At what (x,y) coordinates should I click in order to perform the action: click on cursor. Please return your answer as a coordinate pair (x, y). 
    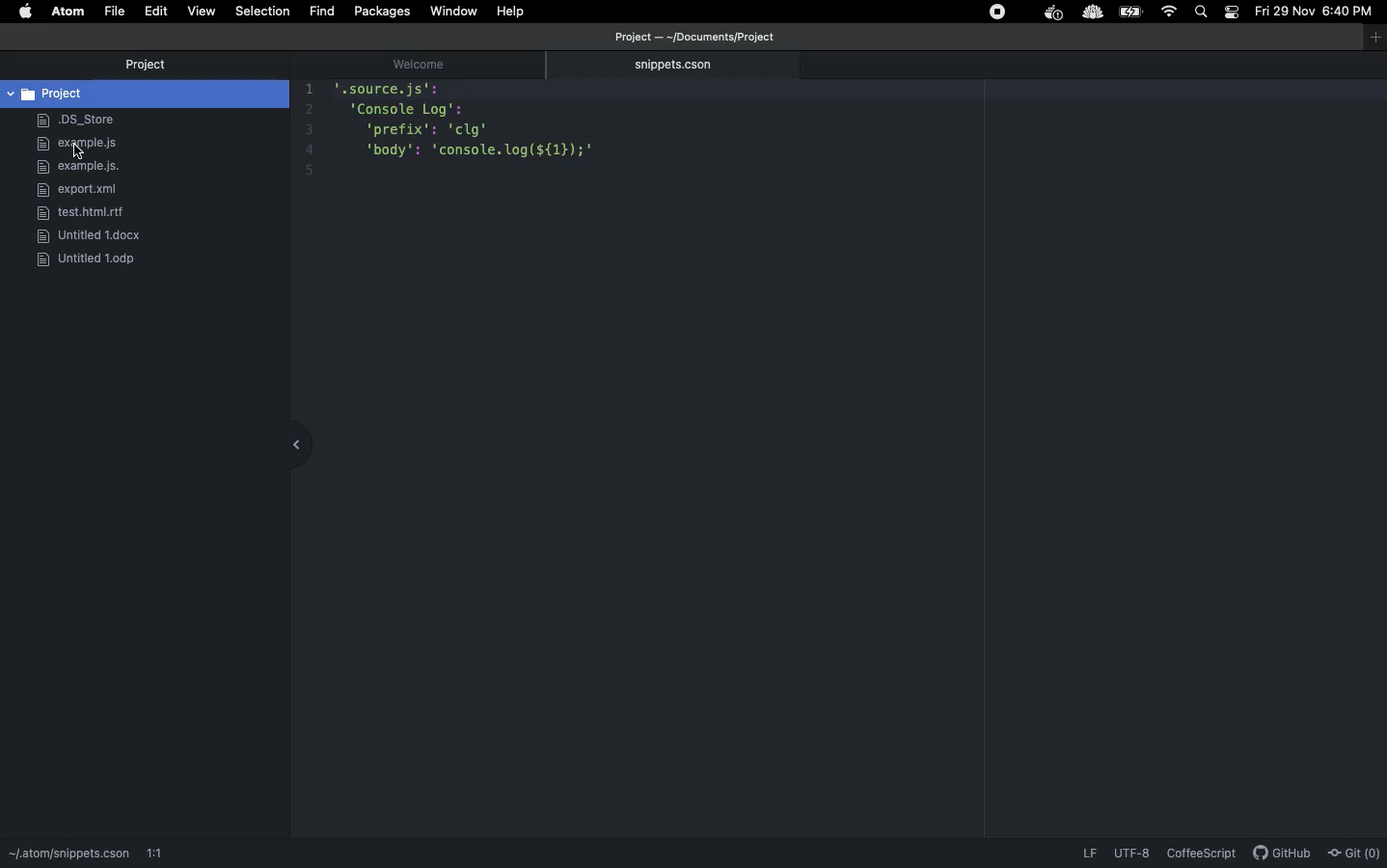
    Looking at the image, I should click on (81, 152).